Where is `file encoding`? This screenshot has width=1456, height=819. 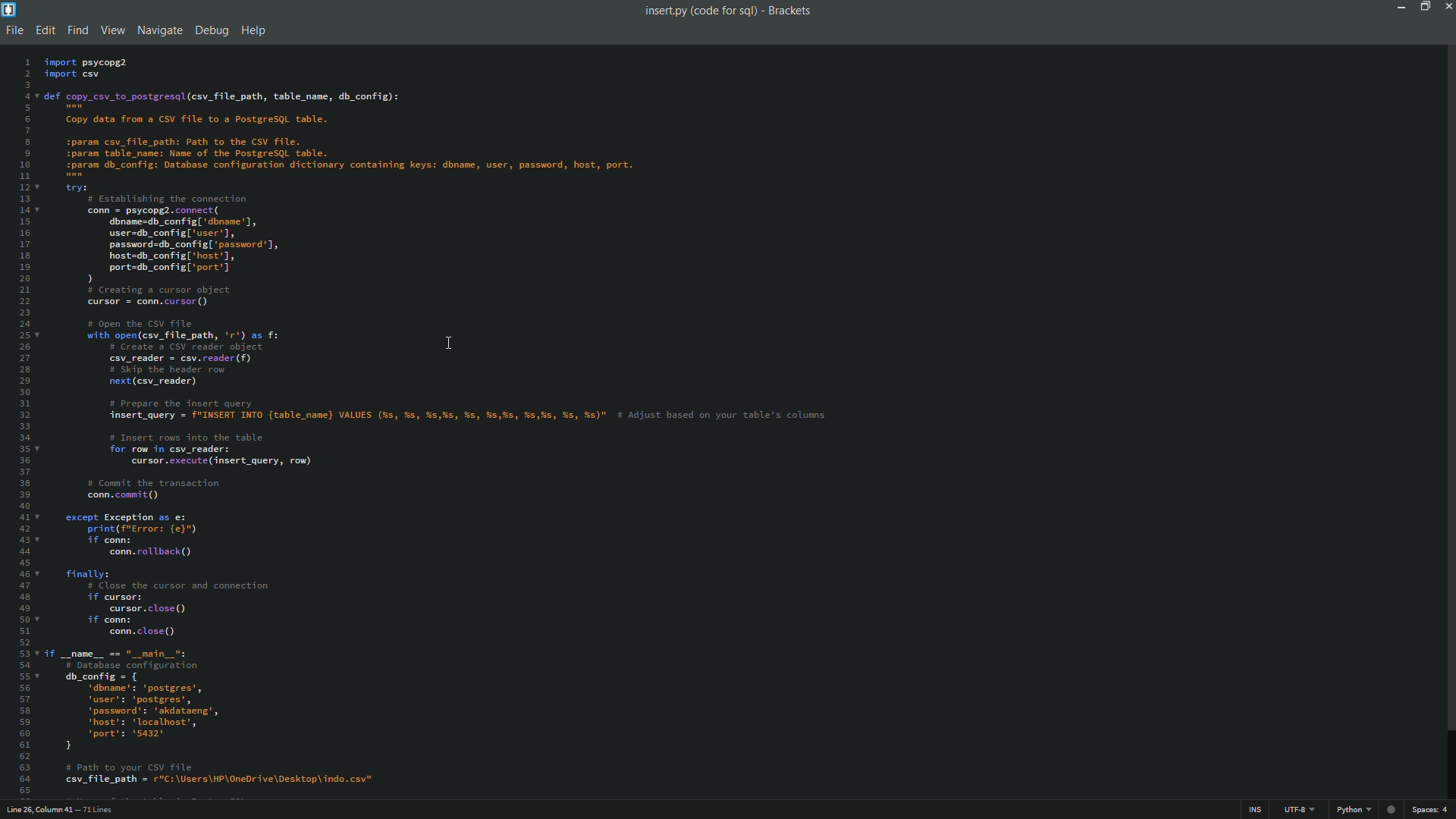 file encoding is located at coordinates (1301, 811).